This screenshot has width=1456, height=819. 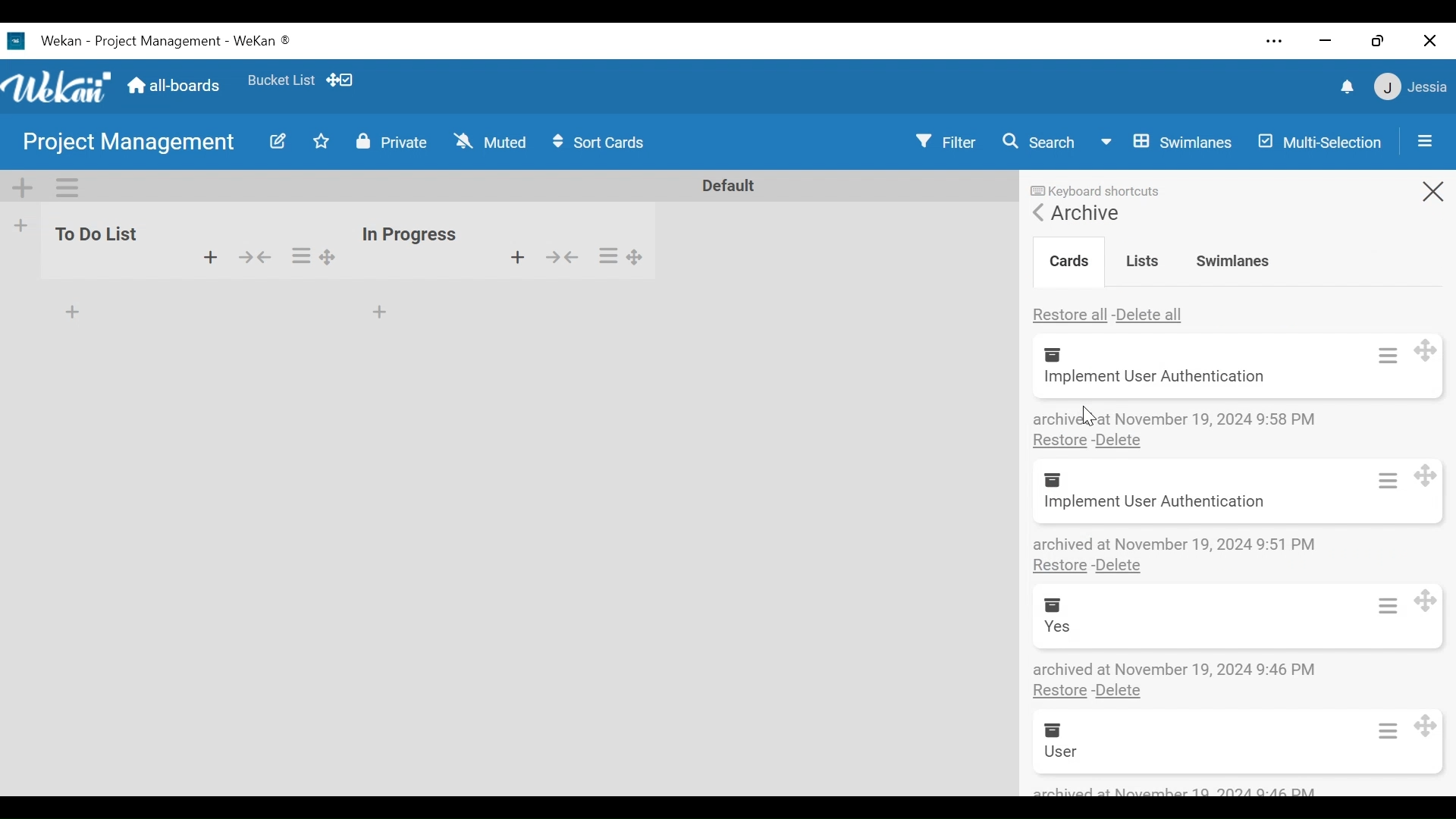 I want to click on add, so click(x=379, y=316).